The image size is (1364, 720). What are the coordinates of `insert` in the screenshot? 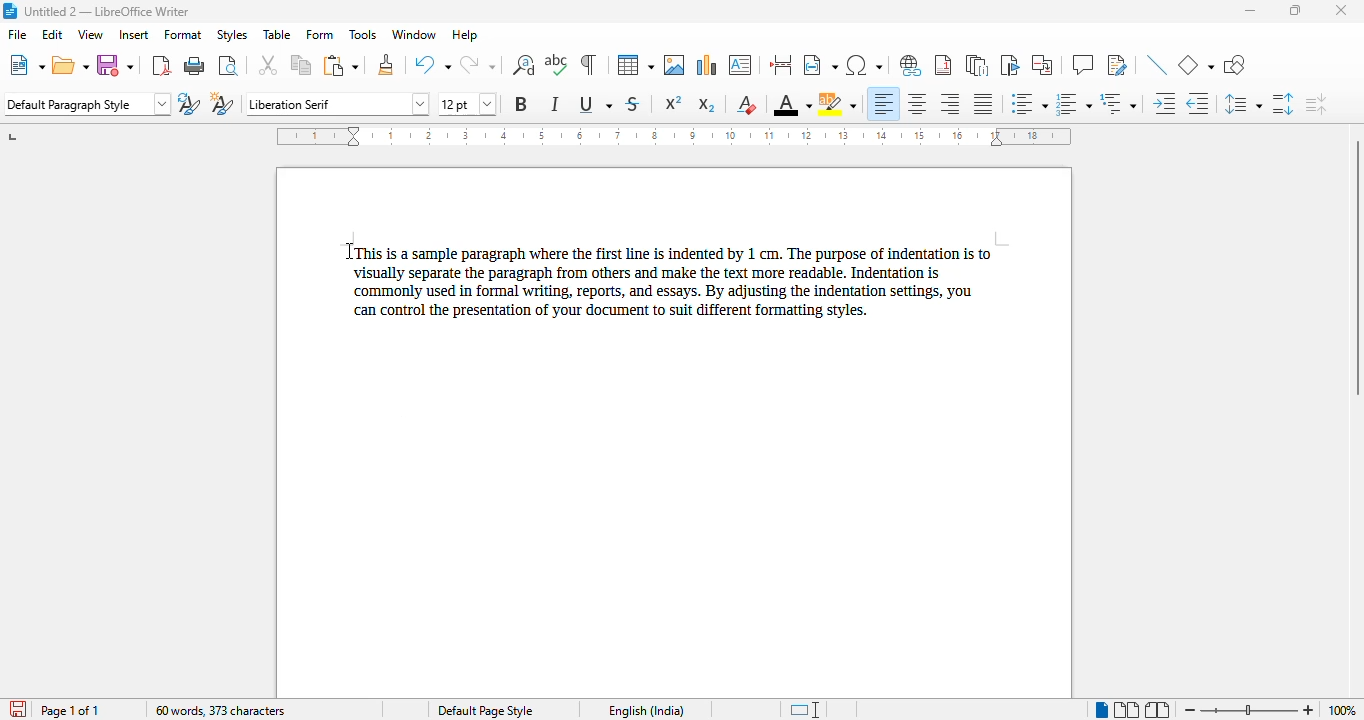 It's located at (132, 35).